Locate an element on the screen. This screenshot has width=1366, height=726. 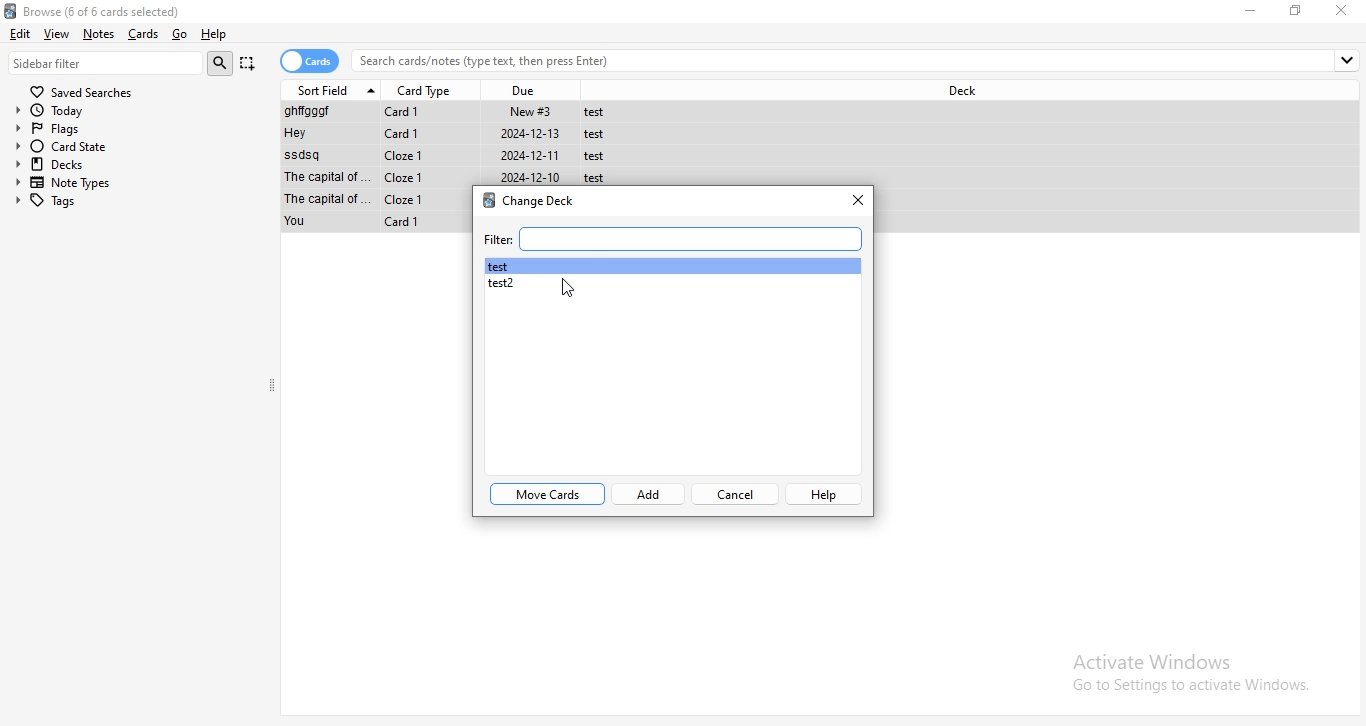
move cards is located at coordinates (547, 494).